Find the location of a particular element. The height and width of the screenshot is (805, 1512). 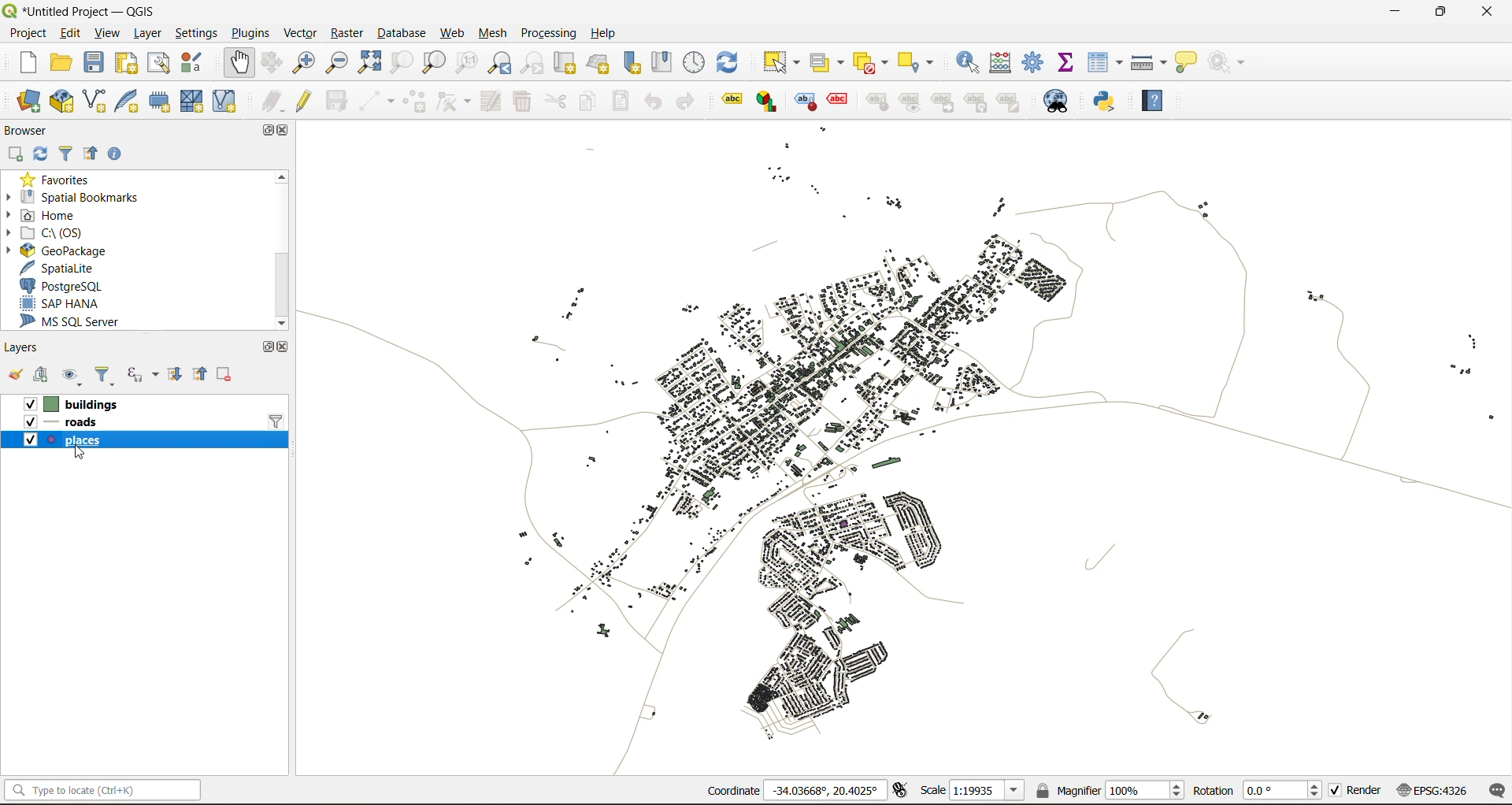

toggle extents is located at coordinates (902, 790).